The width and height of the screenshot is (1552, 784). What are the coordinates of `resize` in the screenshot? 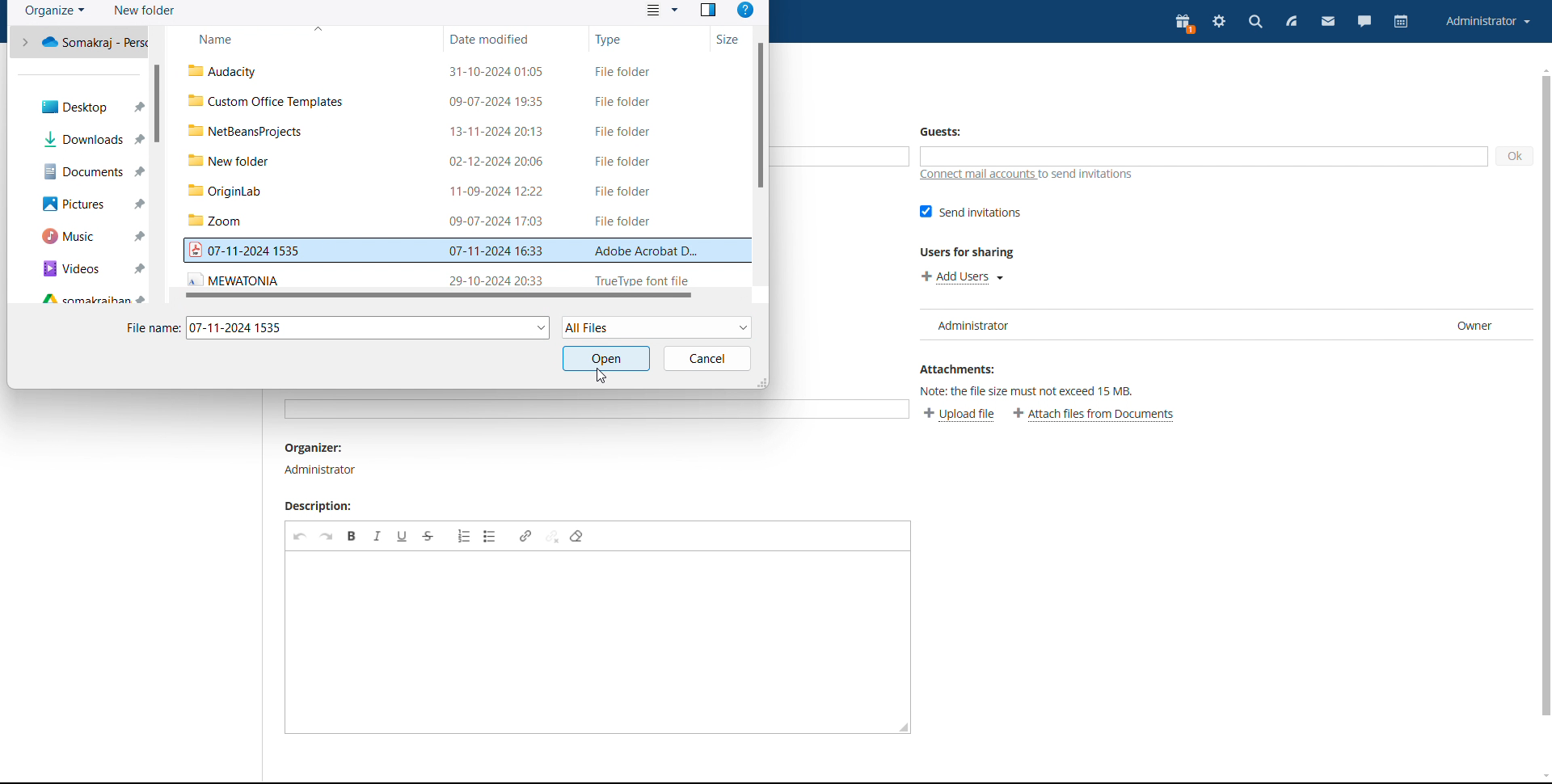 It's located at (905, 727).